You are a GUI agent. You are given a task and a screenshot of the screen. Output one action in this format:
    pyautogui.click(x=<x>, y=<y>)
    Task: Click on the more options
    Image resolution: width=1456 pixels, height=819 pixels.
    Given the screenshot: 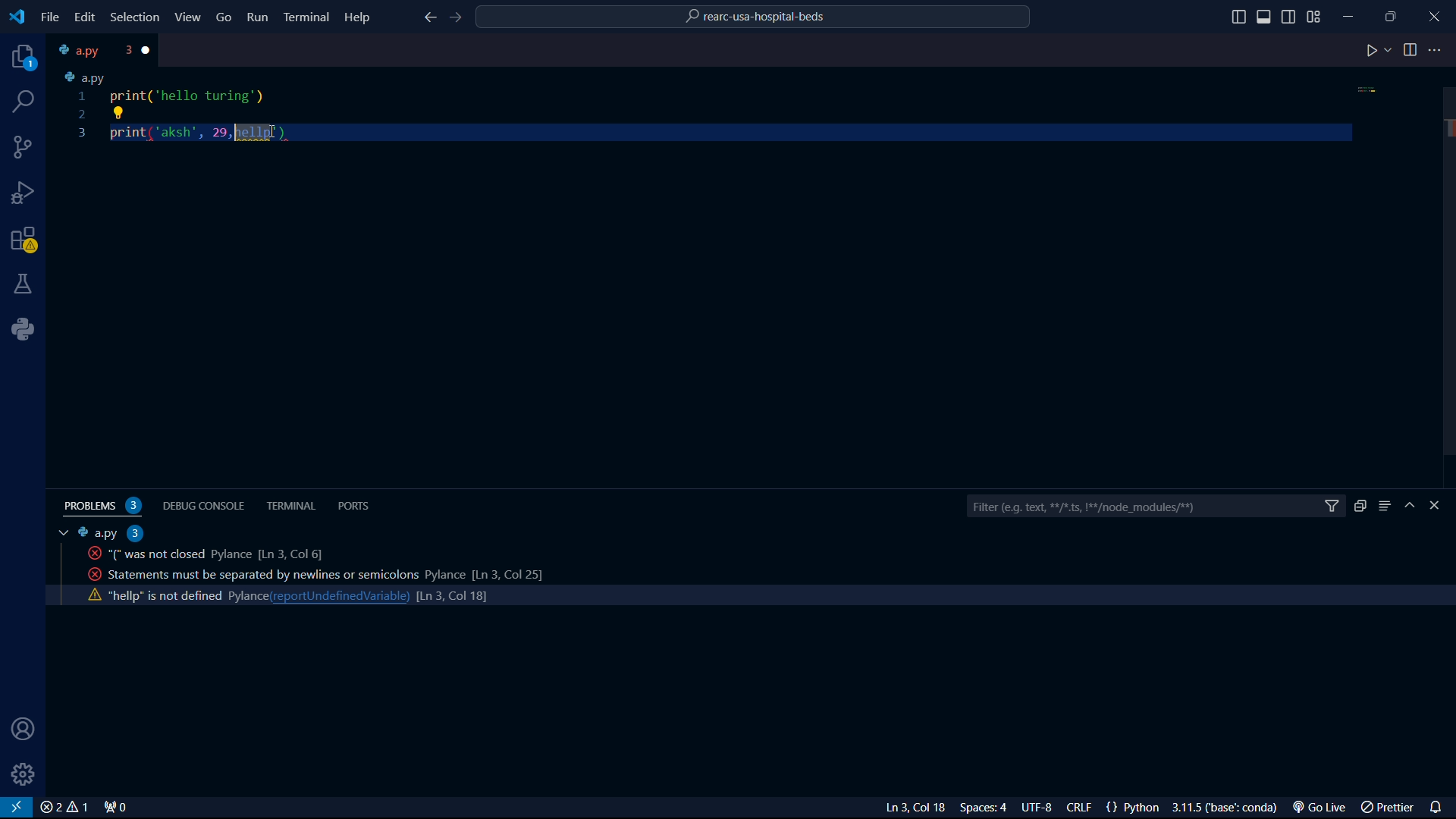 What is the action you would take?
    pyautogui.click(x=1437, y=50)
    